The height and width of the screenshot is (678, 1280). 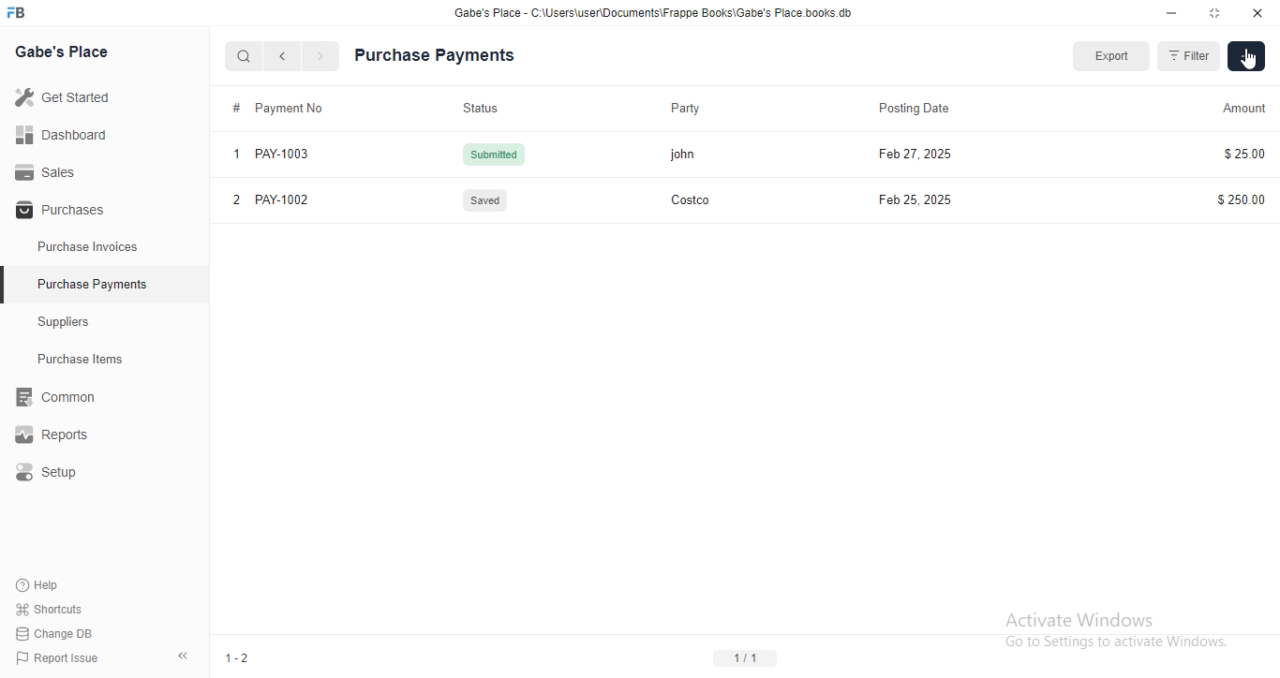 I want to click on PAY-1002, so click(x=290, y=200).